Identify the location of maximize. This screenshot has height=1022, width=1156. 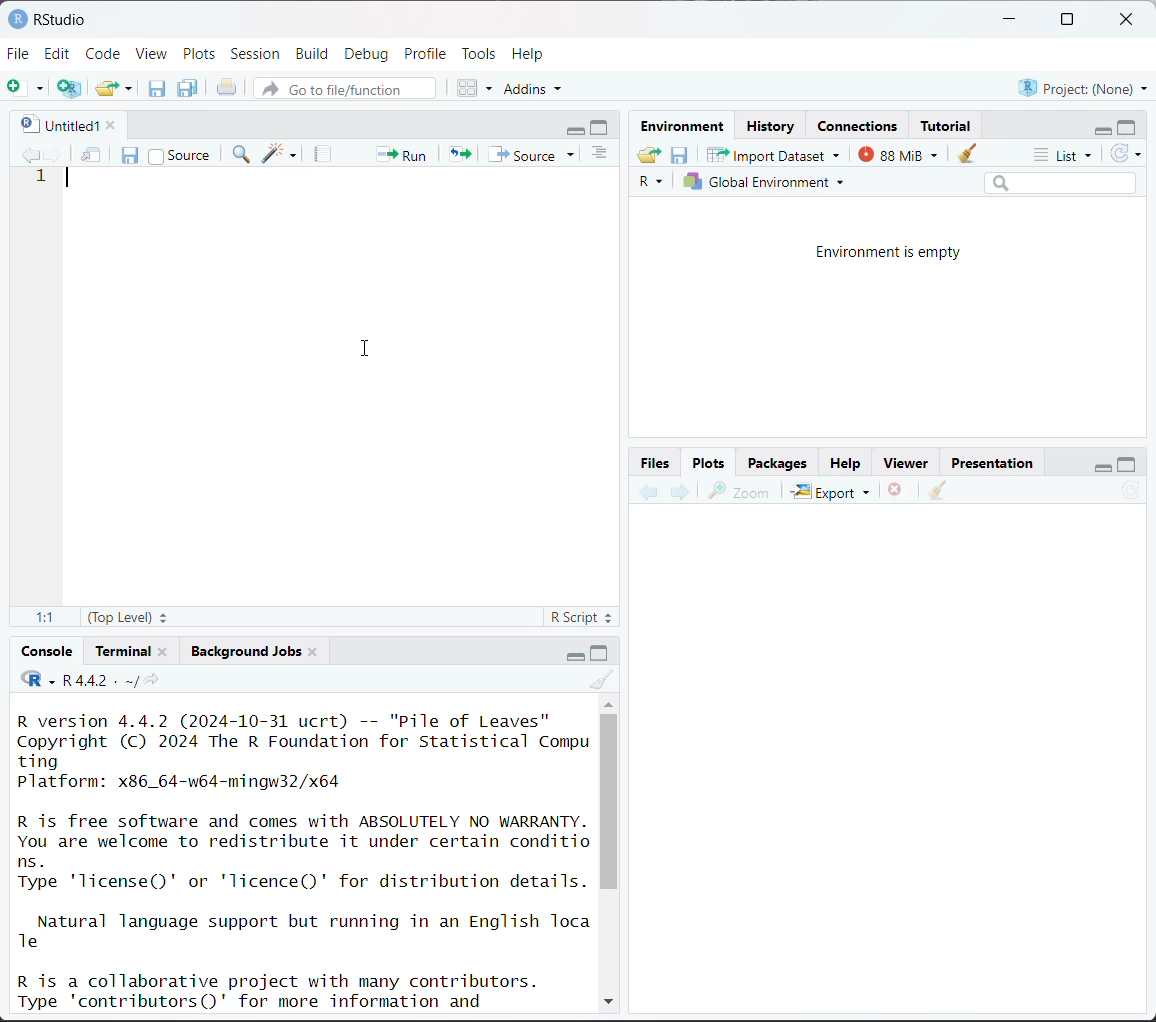
(601, 652).